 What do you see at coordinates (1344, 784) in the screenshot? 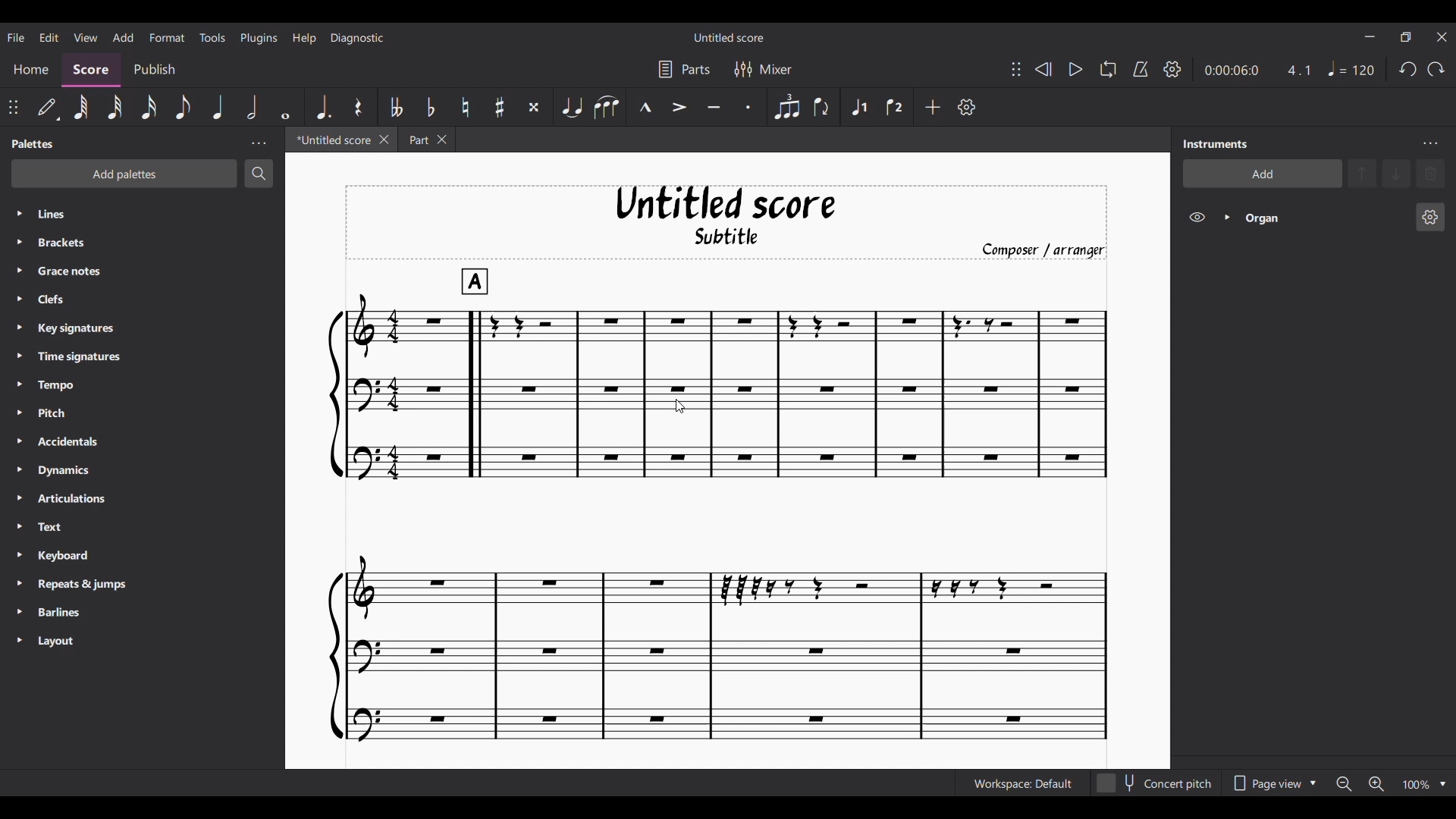
I see `Zoom out` at bounding box center [1344, 784].